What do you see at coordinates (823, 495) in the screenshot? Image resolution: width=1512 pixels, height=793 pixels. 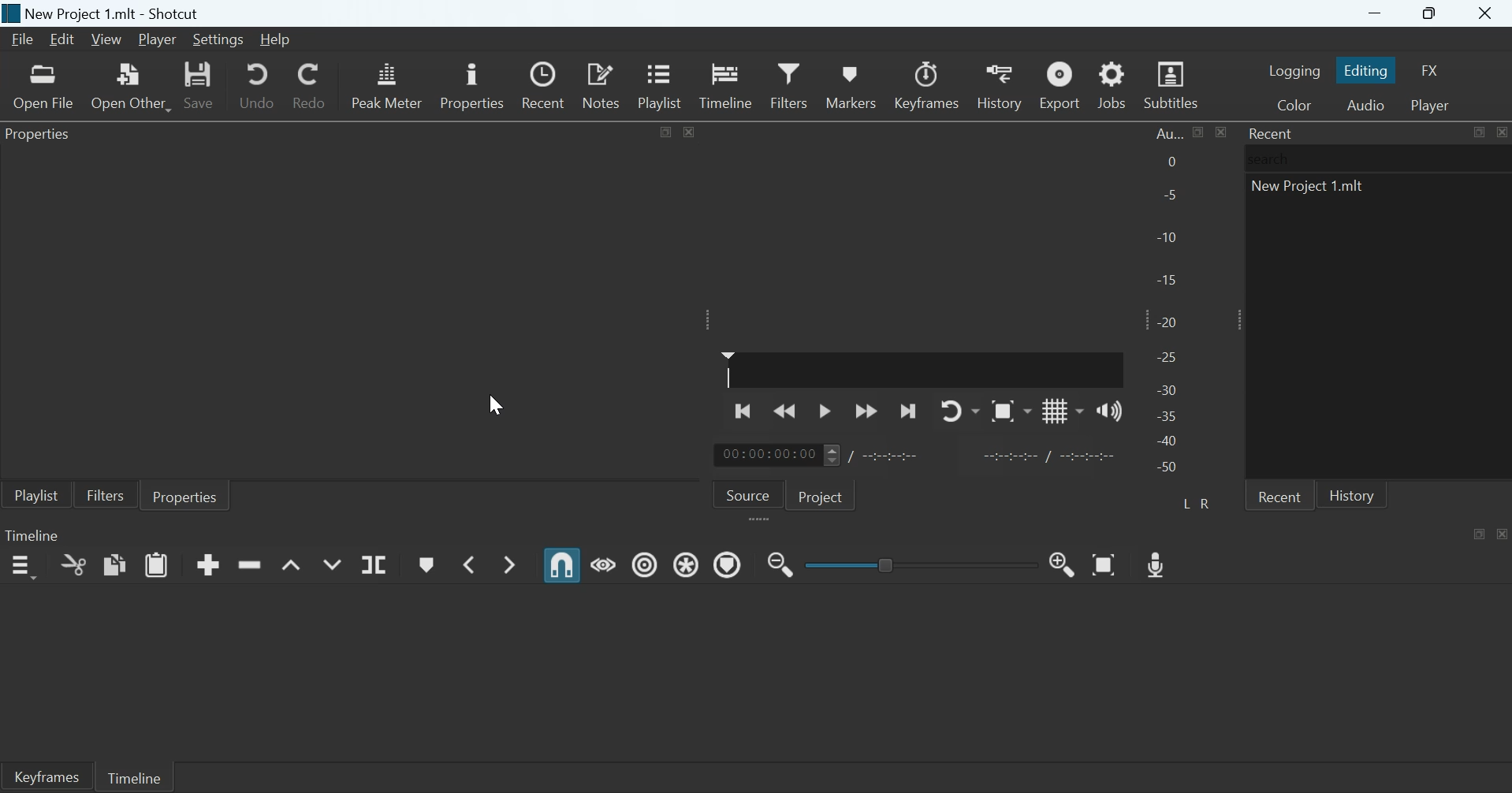 I see `Project` at bounding box center [823, 495].